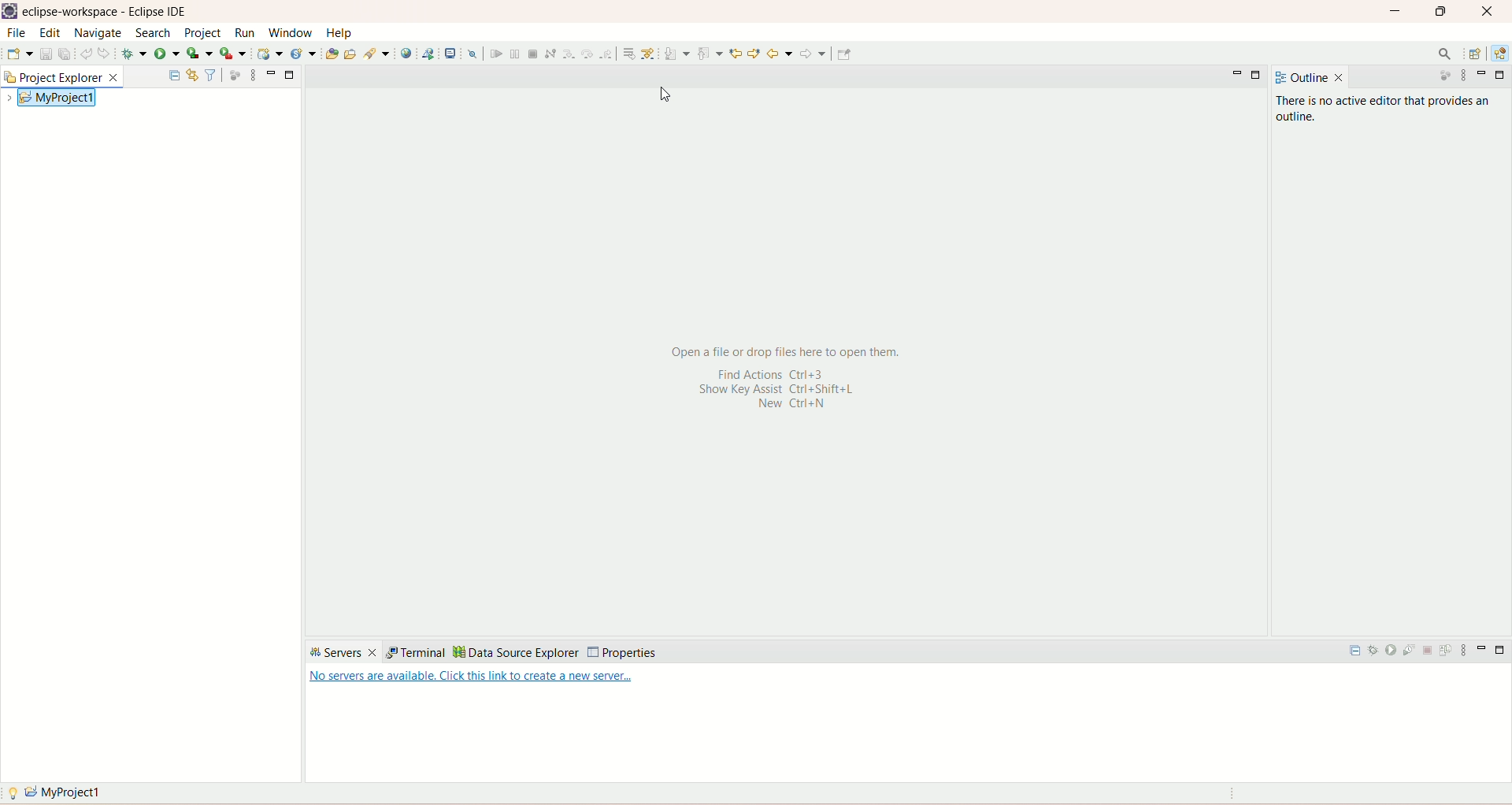 This screenshot has width=1512, height=805. What do you see at coordinates (1462, 75) in the screenshot?
I see `view menu` at bounding box center [1462, 75].